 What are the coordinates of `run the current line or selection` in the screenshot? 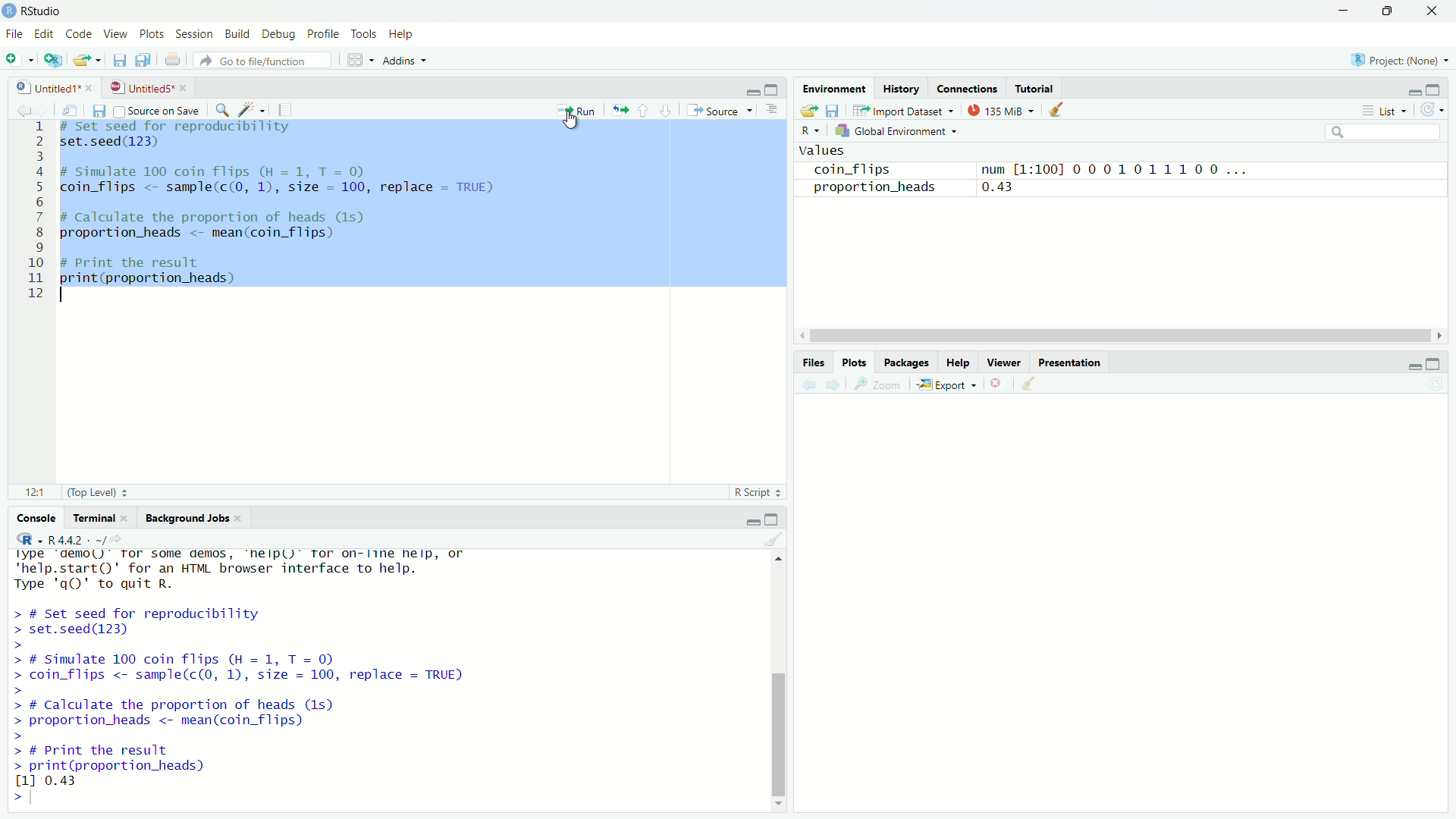 It's located at (578, 109).